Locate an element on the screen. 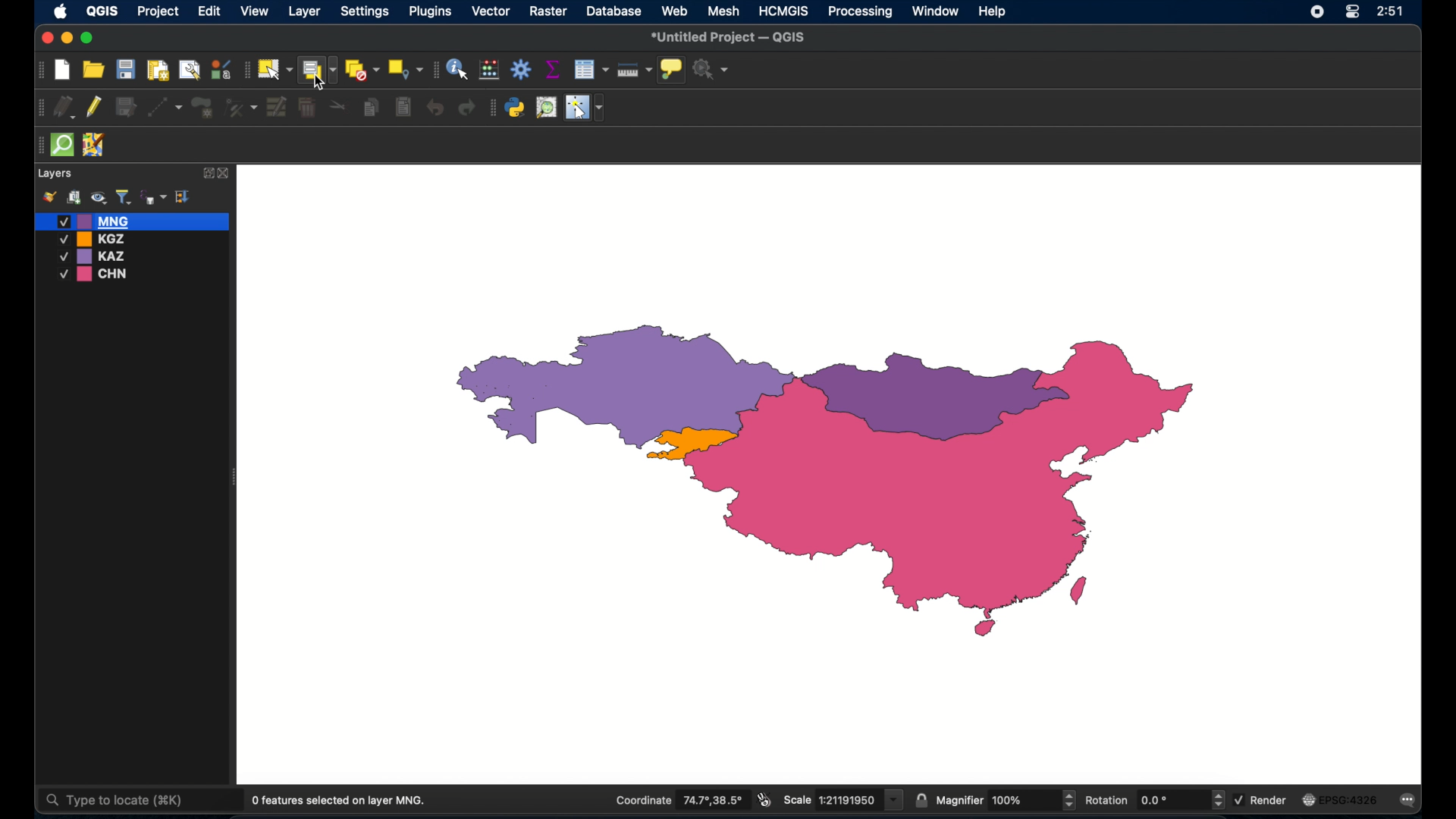 This screenshot has width=1456, height=819. switches mouse to configurable pointer is located at coordinates (585, 108).